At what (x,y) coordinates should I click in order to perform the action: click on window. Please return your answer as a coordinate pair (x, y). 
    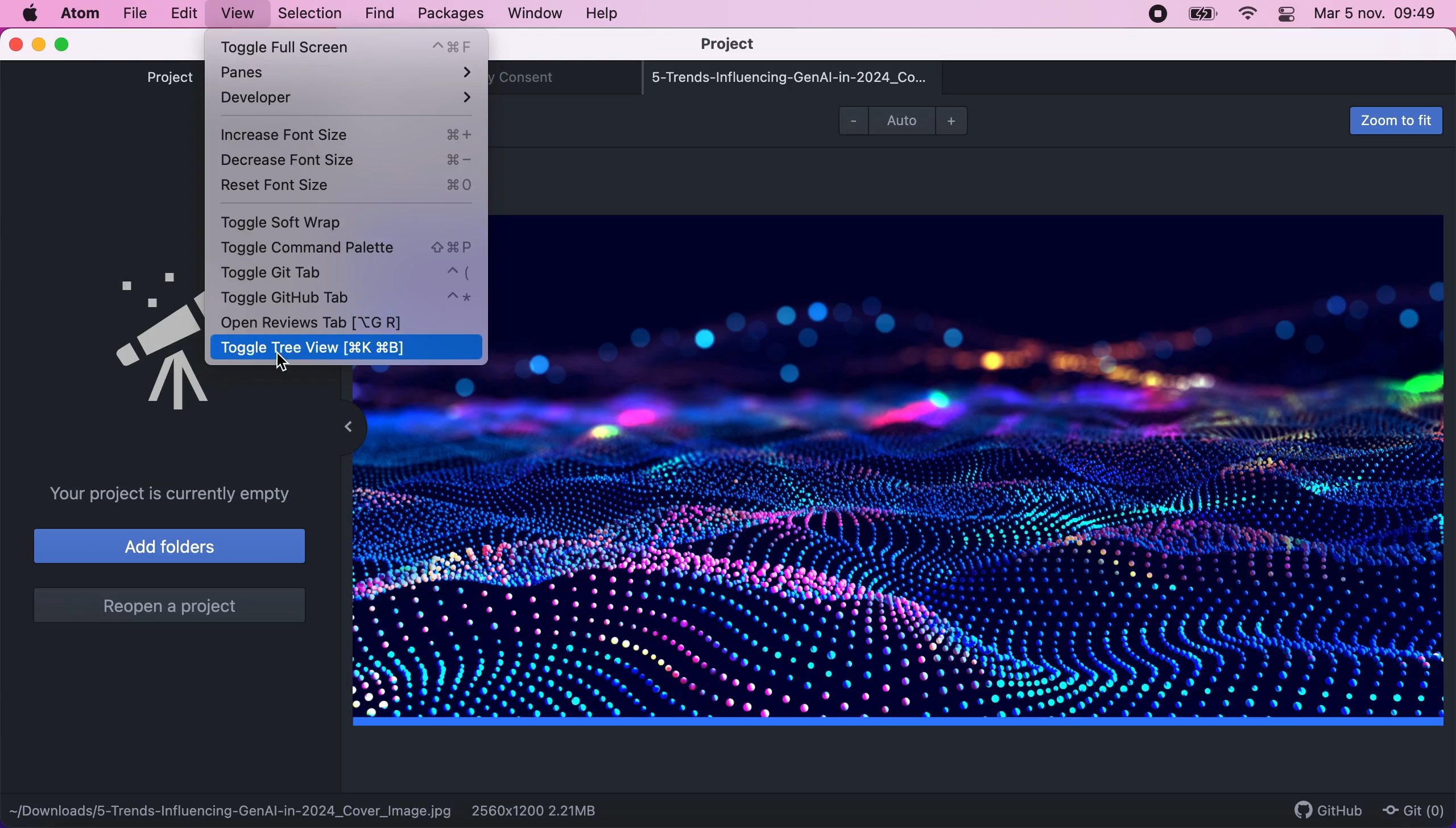
    Looking at the image, I should click on (535, 16).